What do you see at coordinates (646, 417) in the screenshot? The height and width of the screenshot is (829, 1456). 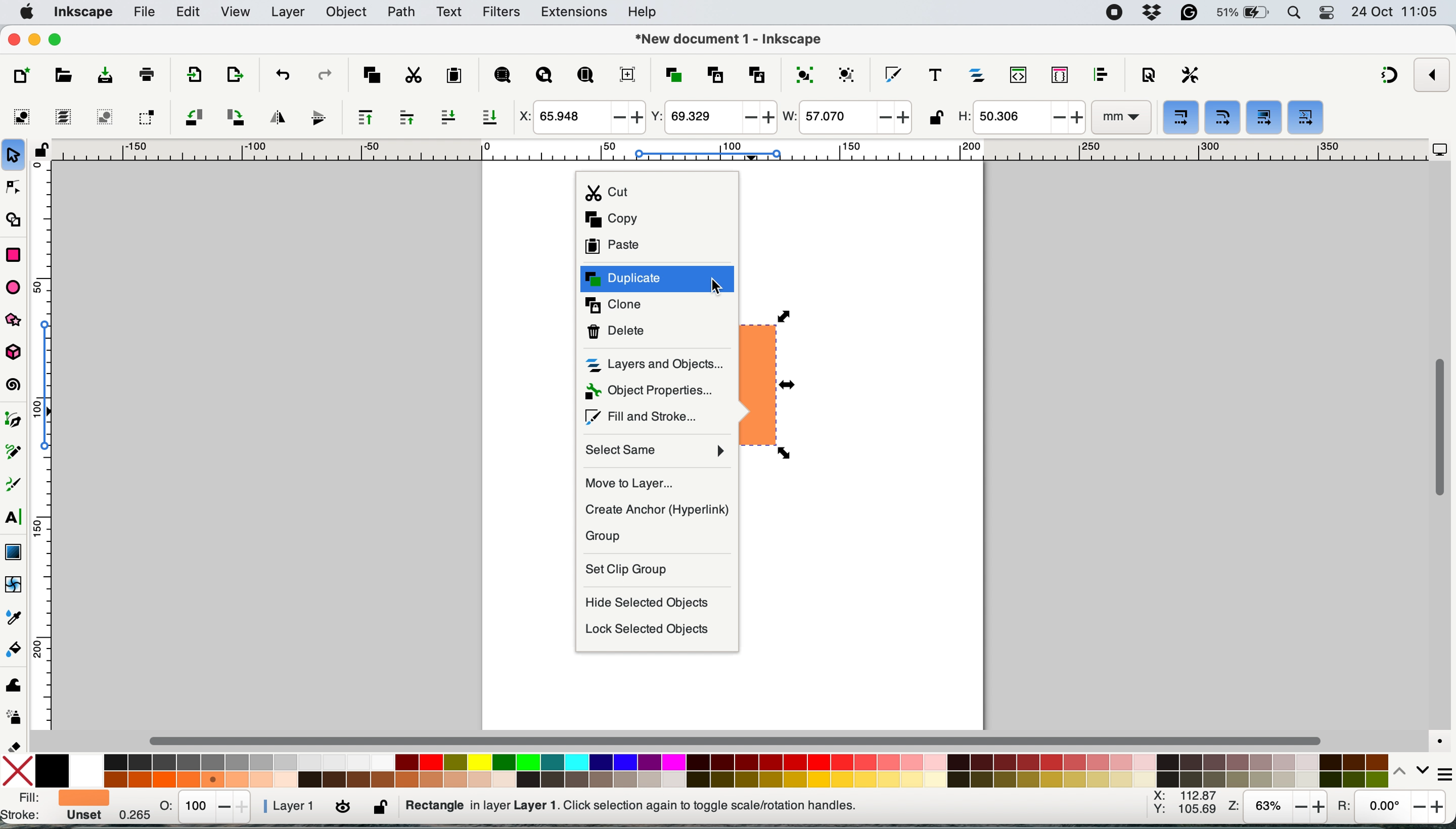 I see `fill and stroke` at bounding box center [646, 417].